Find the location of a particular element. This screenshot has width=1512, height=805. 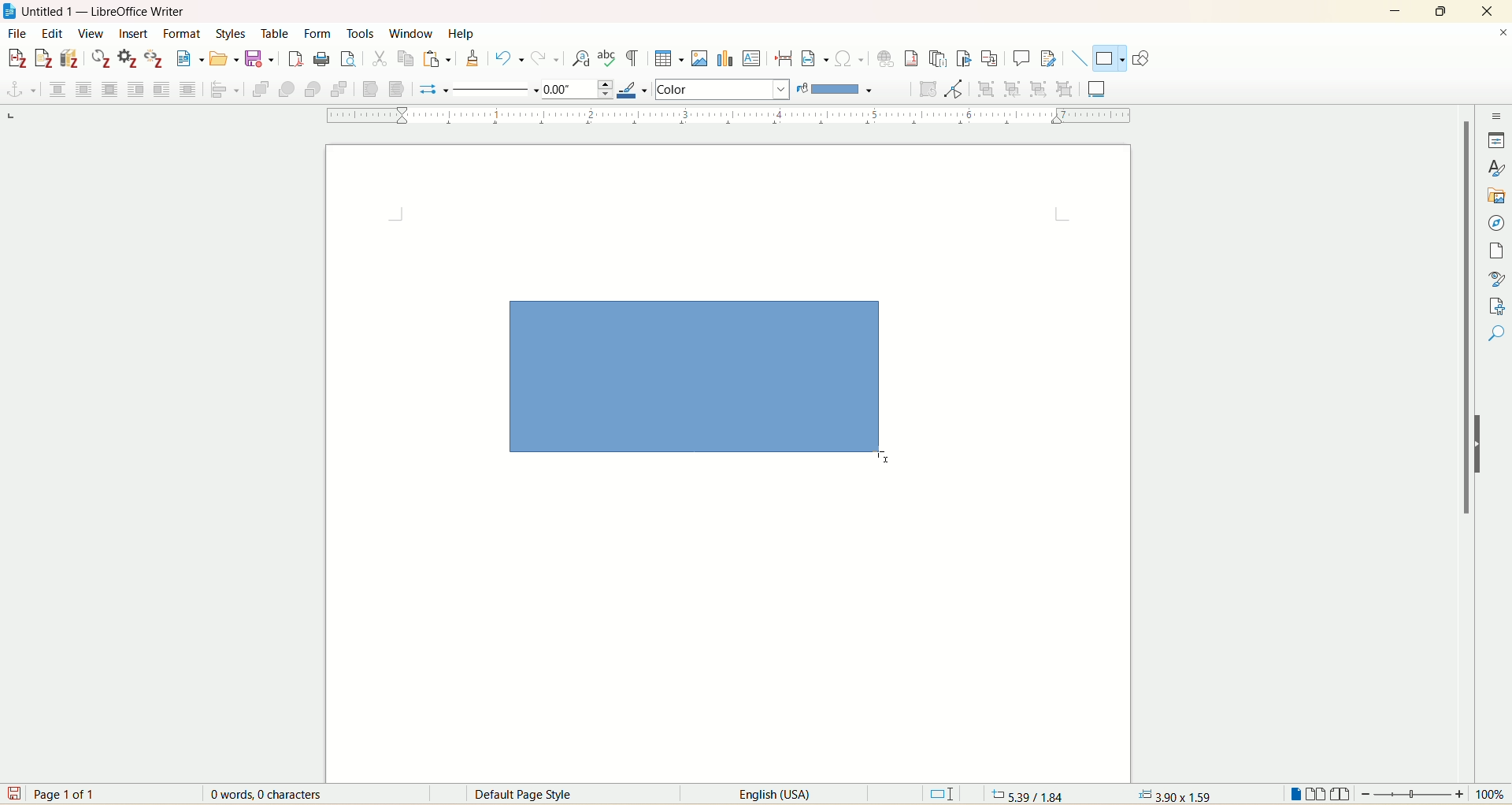

styles is located at coordinates (235, 34).